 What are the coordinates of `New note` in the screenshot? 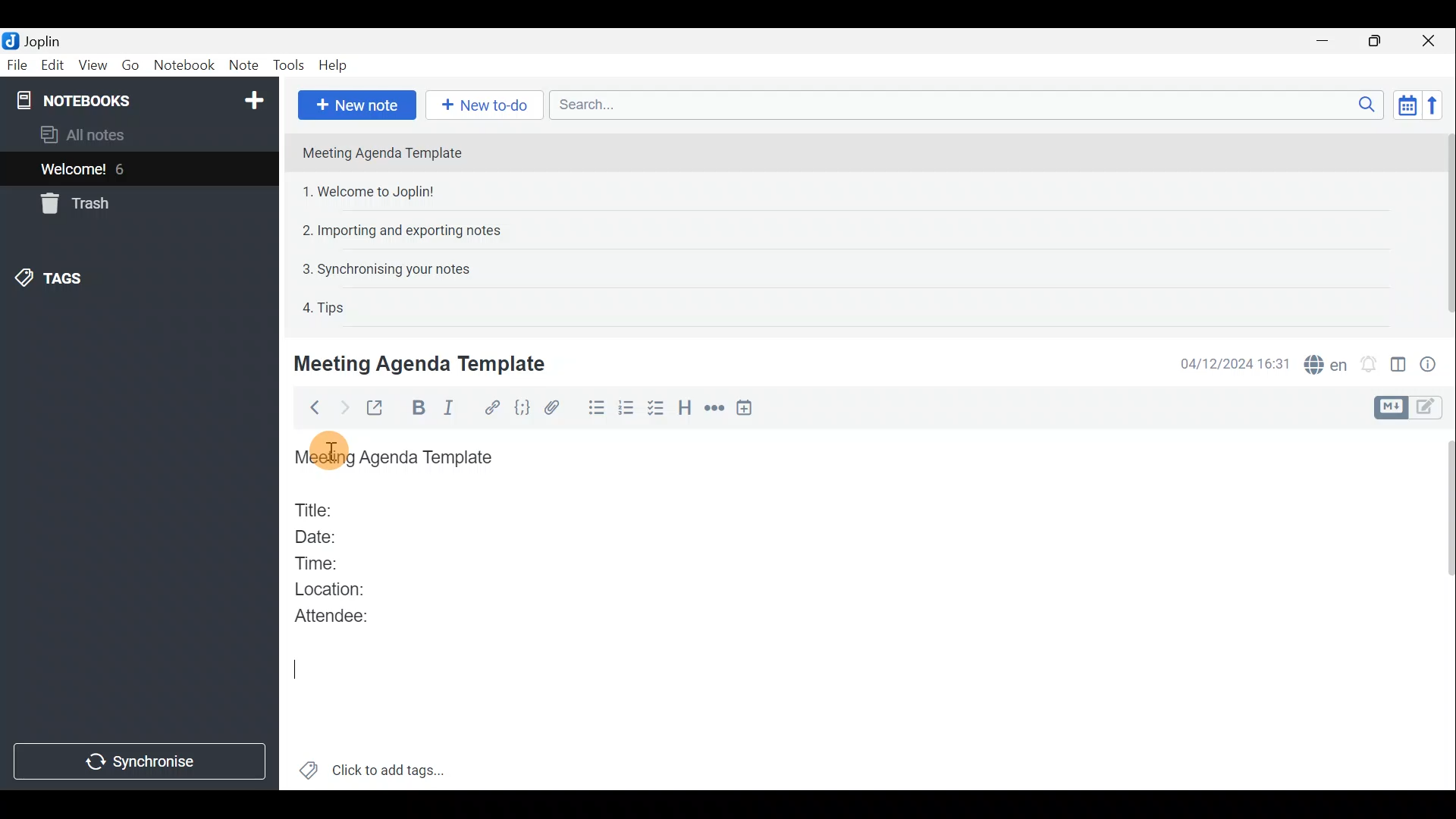 It's located at (357, 105).